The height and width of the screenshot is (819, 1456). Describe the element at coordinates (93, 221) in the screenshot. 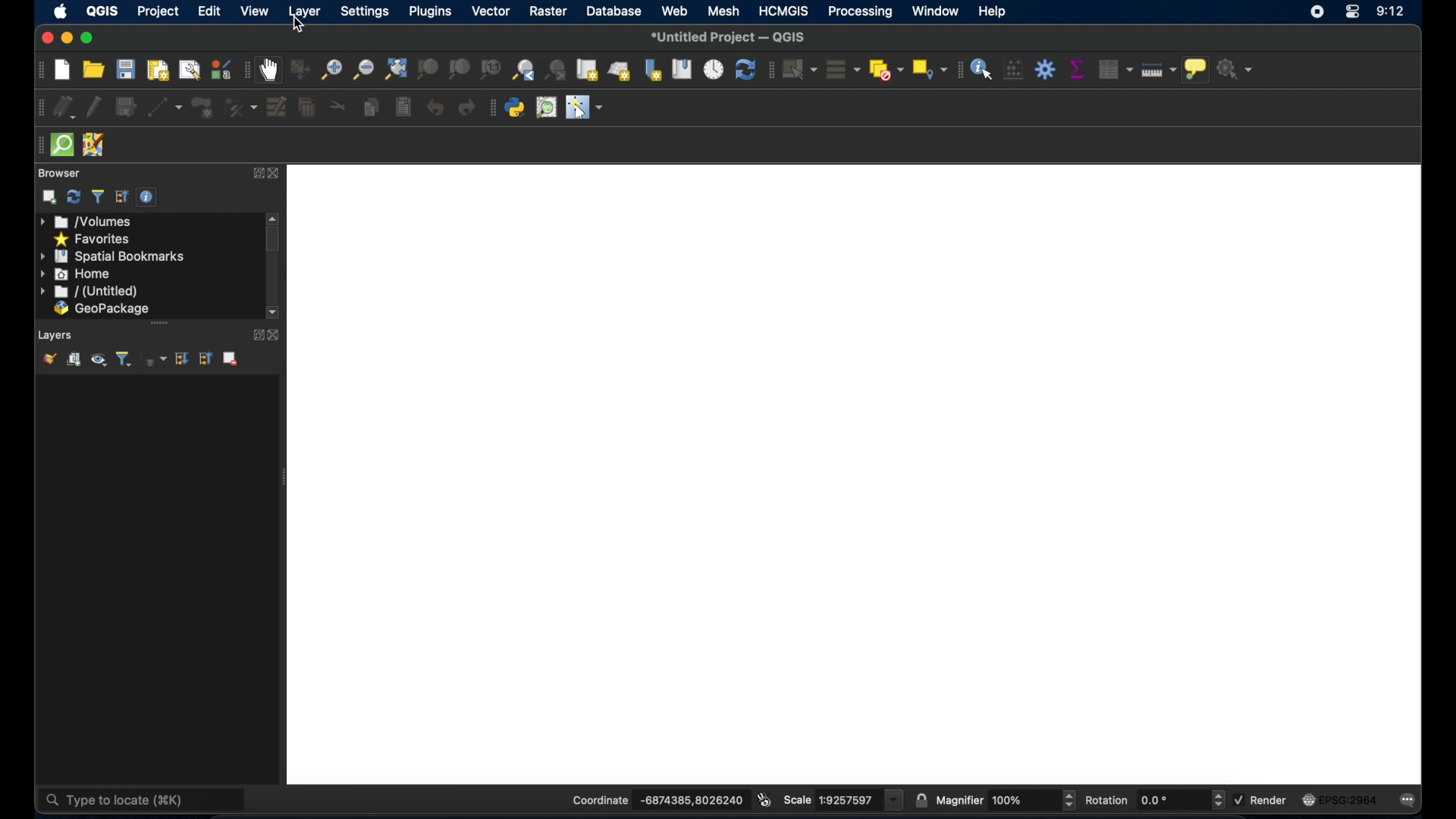

I see `volumes` at that location.